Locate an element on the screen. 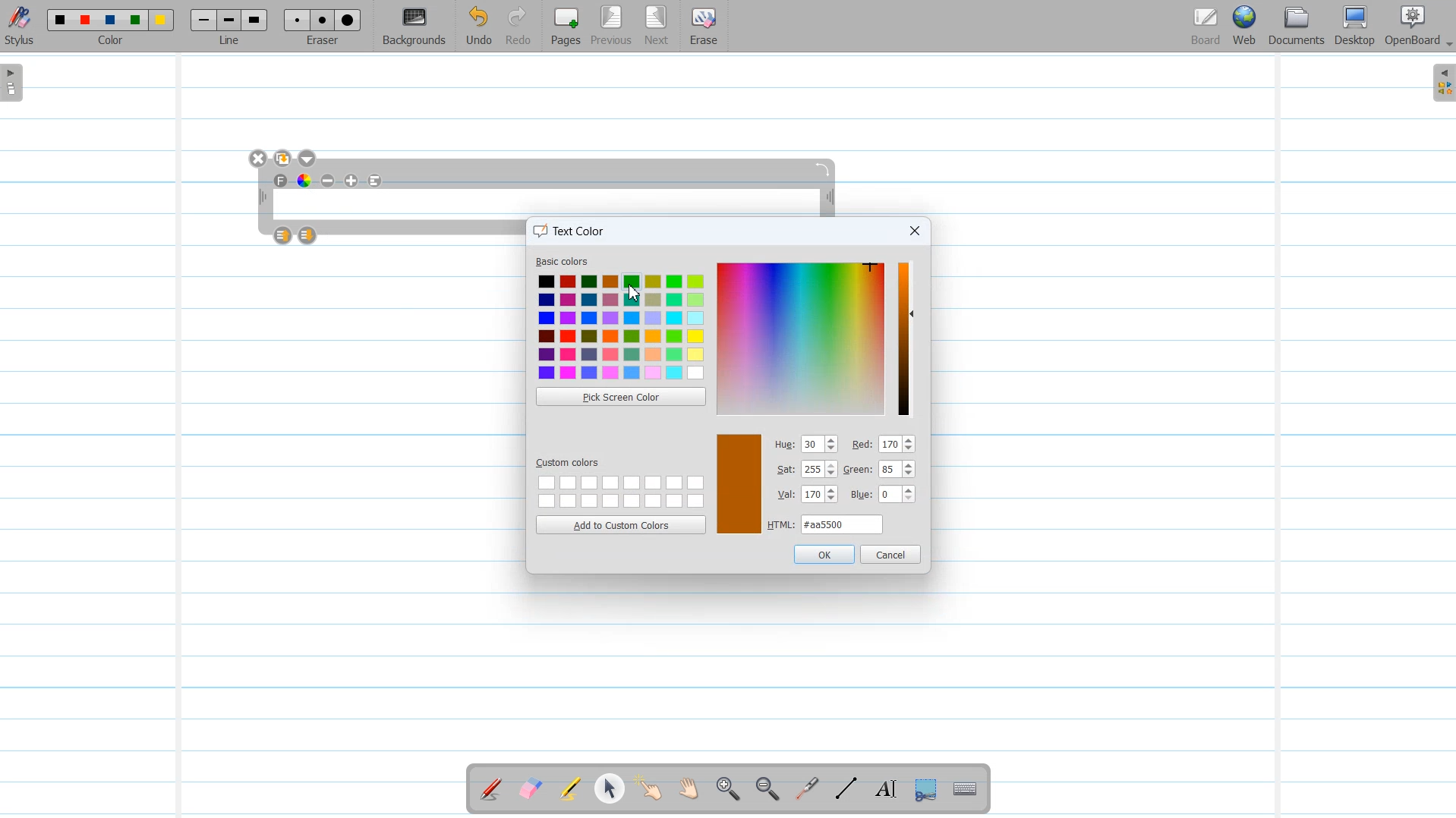  Select and modify Object is located at coordinates (610, 788).